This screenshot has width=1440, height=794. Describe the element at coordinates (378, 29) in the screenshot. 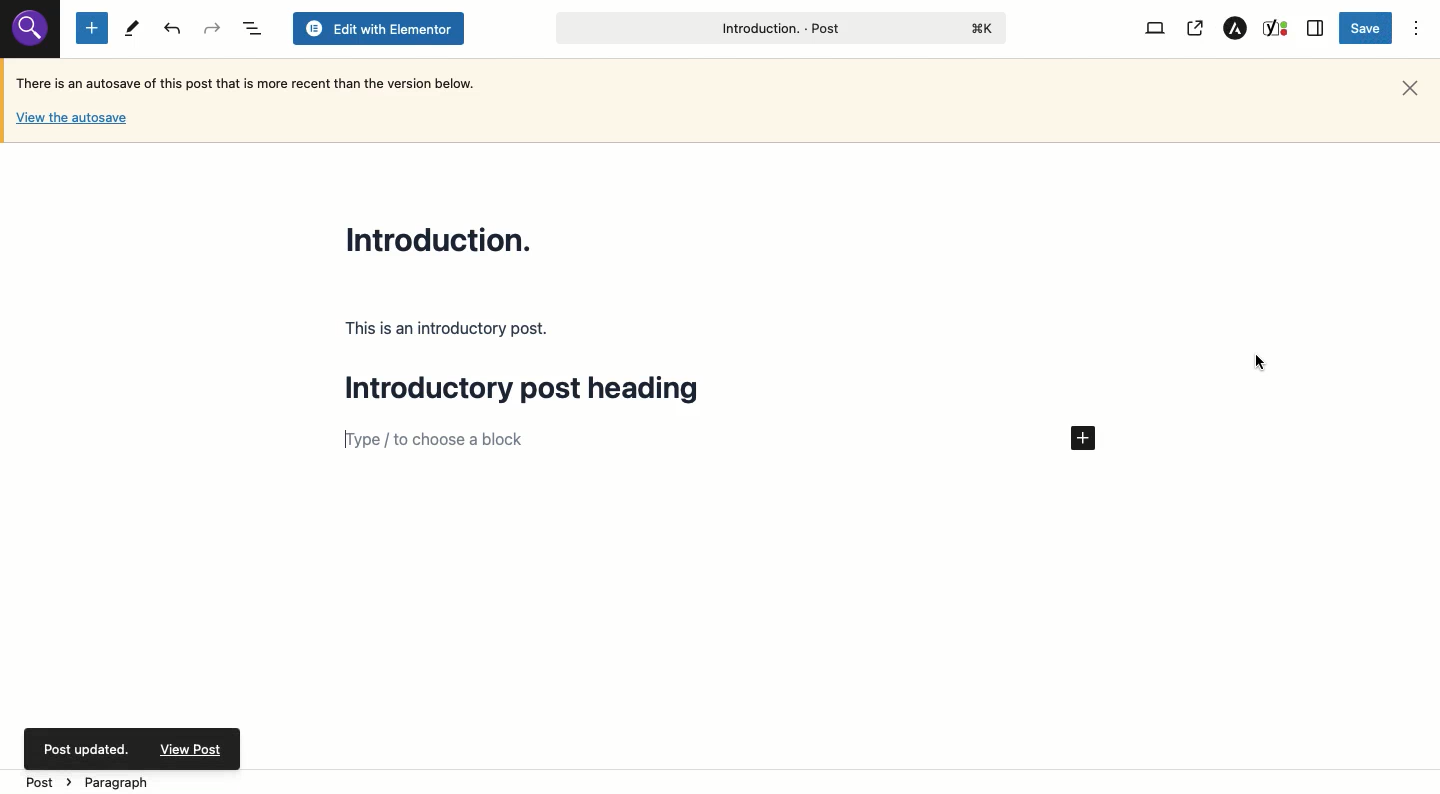

I see `Edit with elementor` at that location.